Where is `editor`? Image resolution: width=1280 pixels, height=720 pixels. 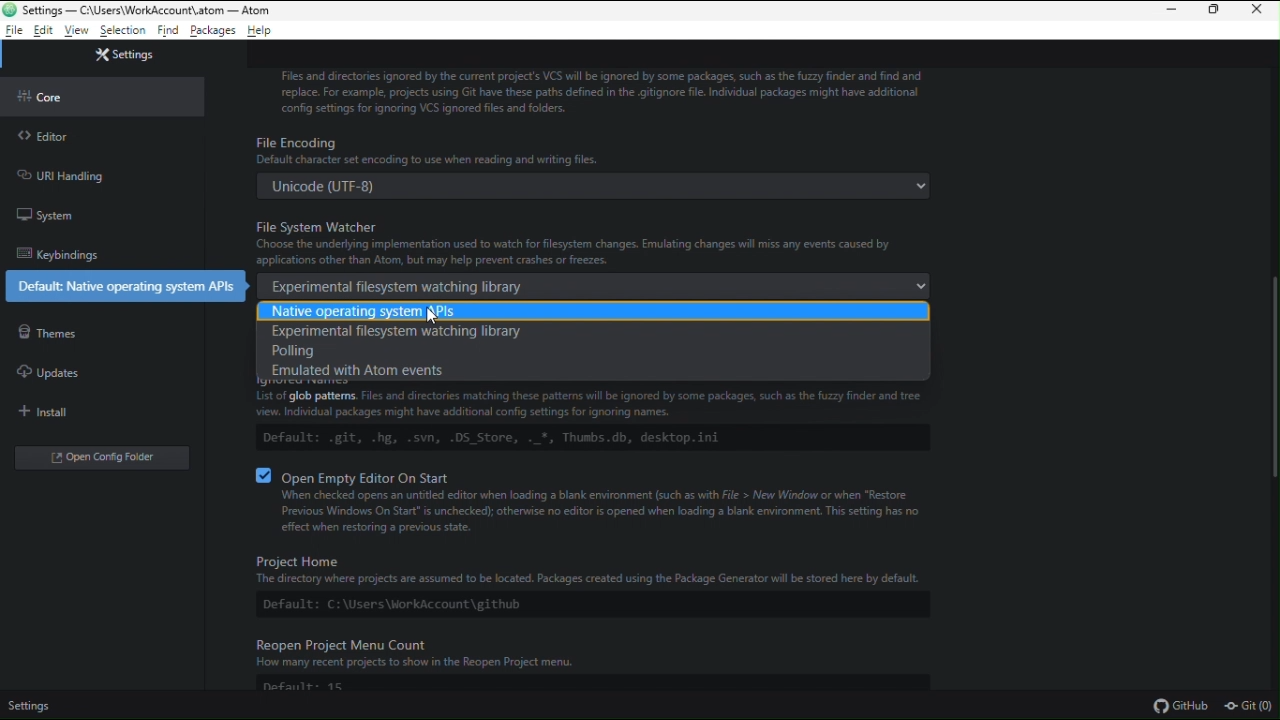 editor is located at coordinates (52, 137).